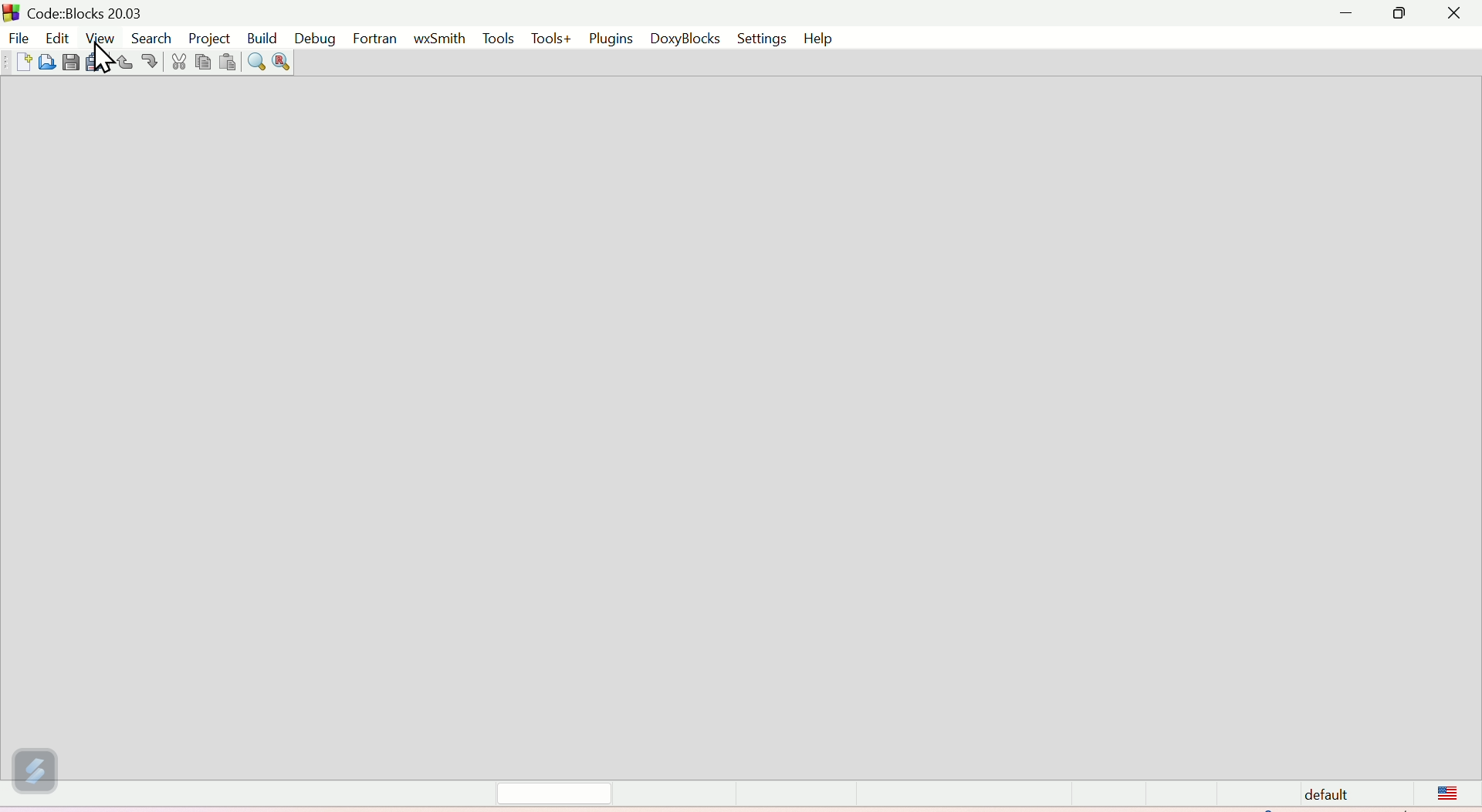 Image resolution: width=1482 pixels, height=812 pixels. Describe the element at coordinates (496, 37) in the screenshot. I see `Tools` at that location.